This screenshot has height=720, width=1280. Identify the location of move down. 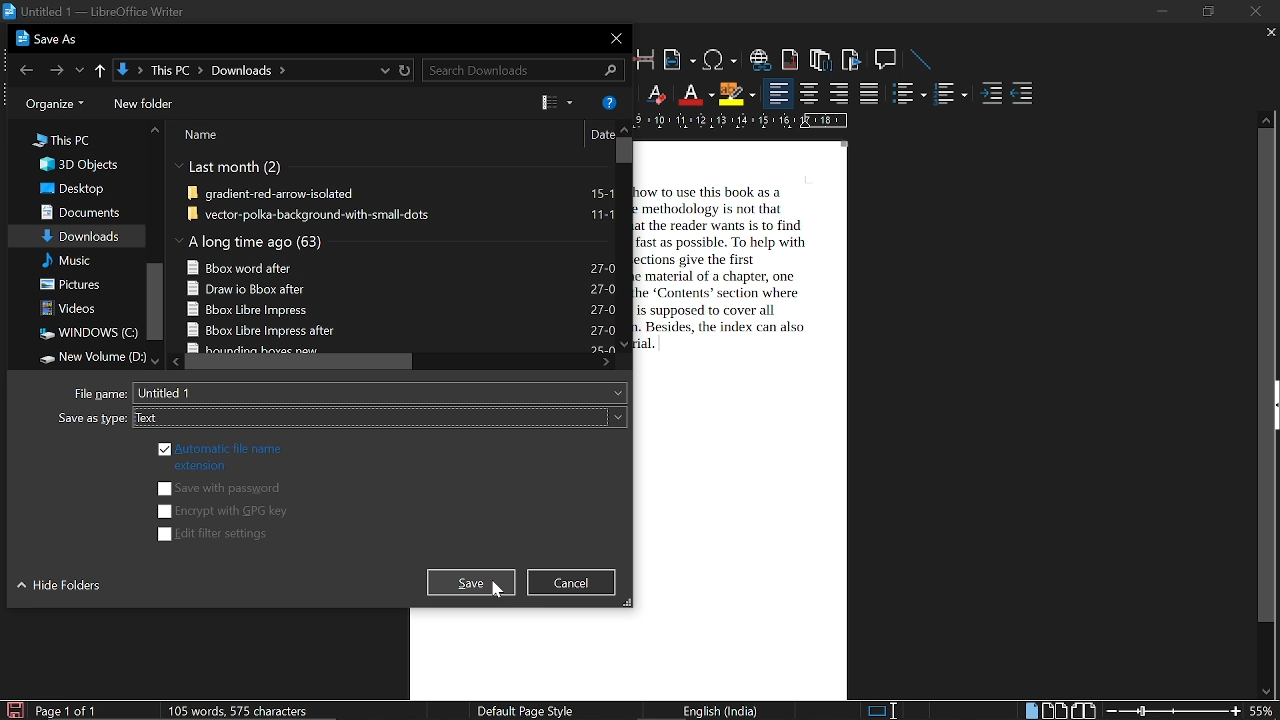
(150, 359).